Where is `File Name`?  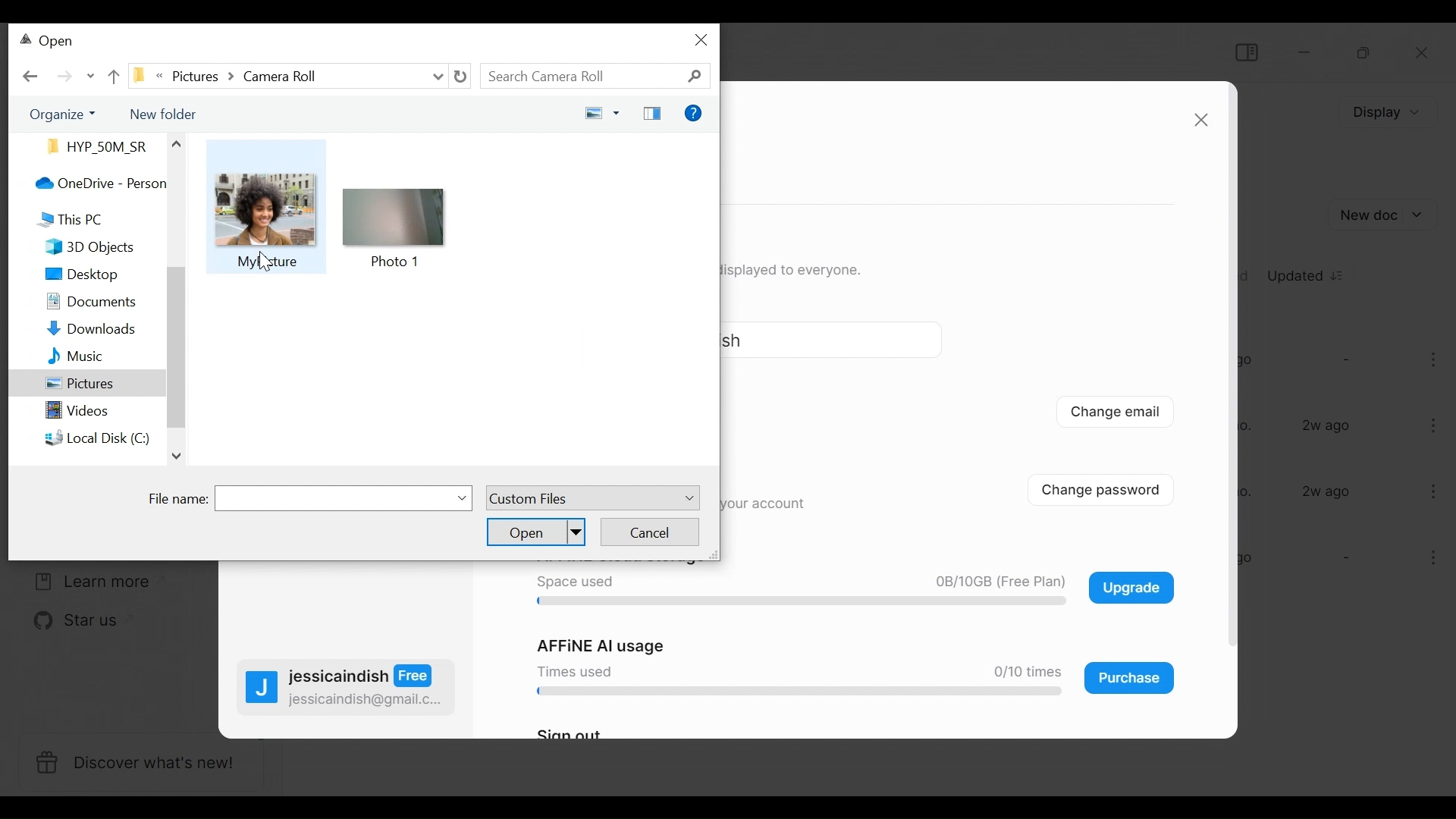 File Name is located at coordinates (311, 499).